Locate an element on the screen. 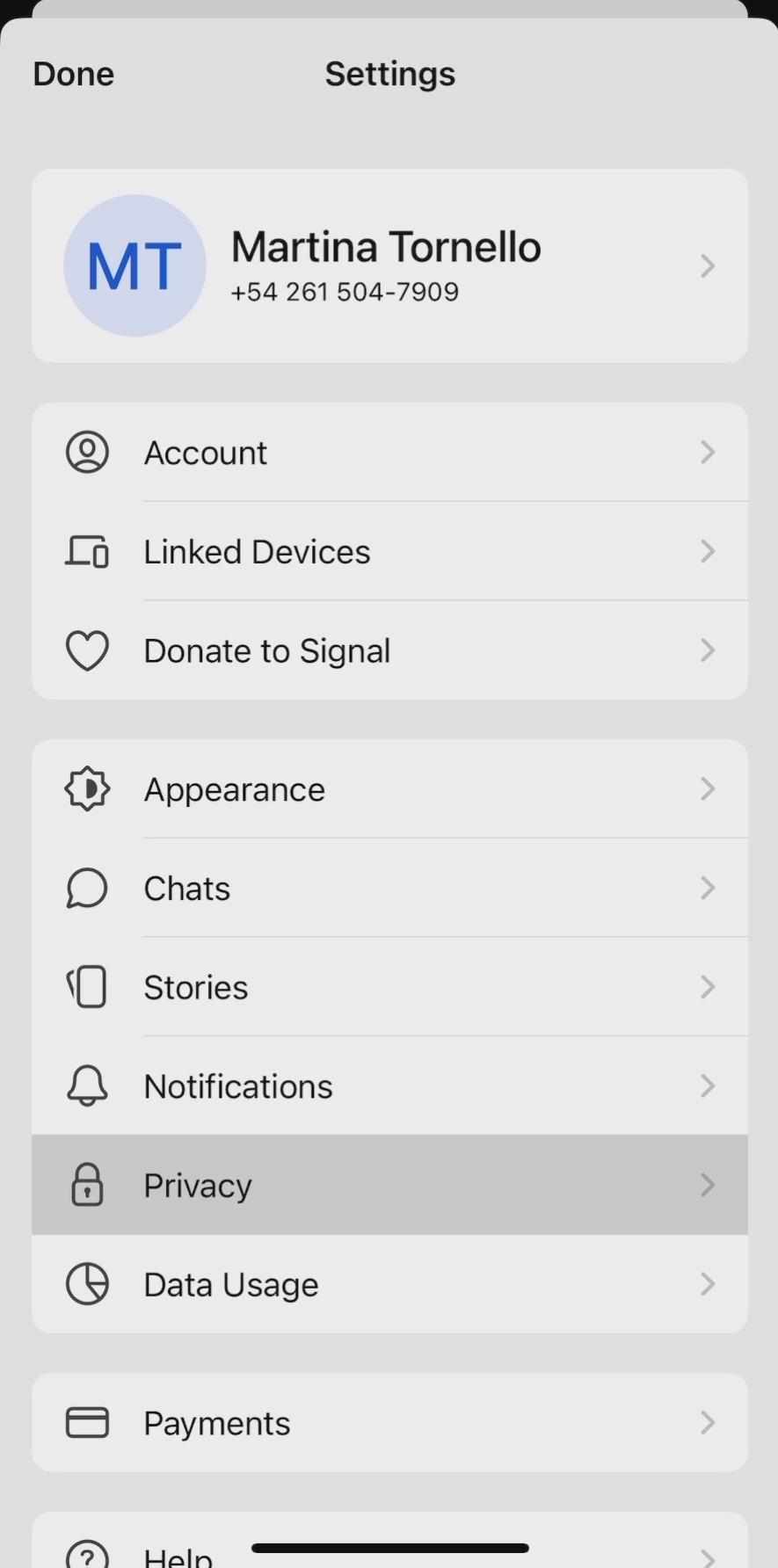 The width and height of the screenshot is (778, 1568). linked devices is located at coordinates (386, 551).